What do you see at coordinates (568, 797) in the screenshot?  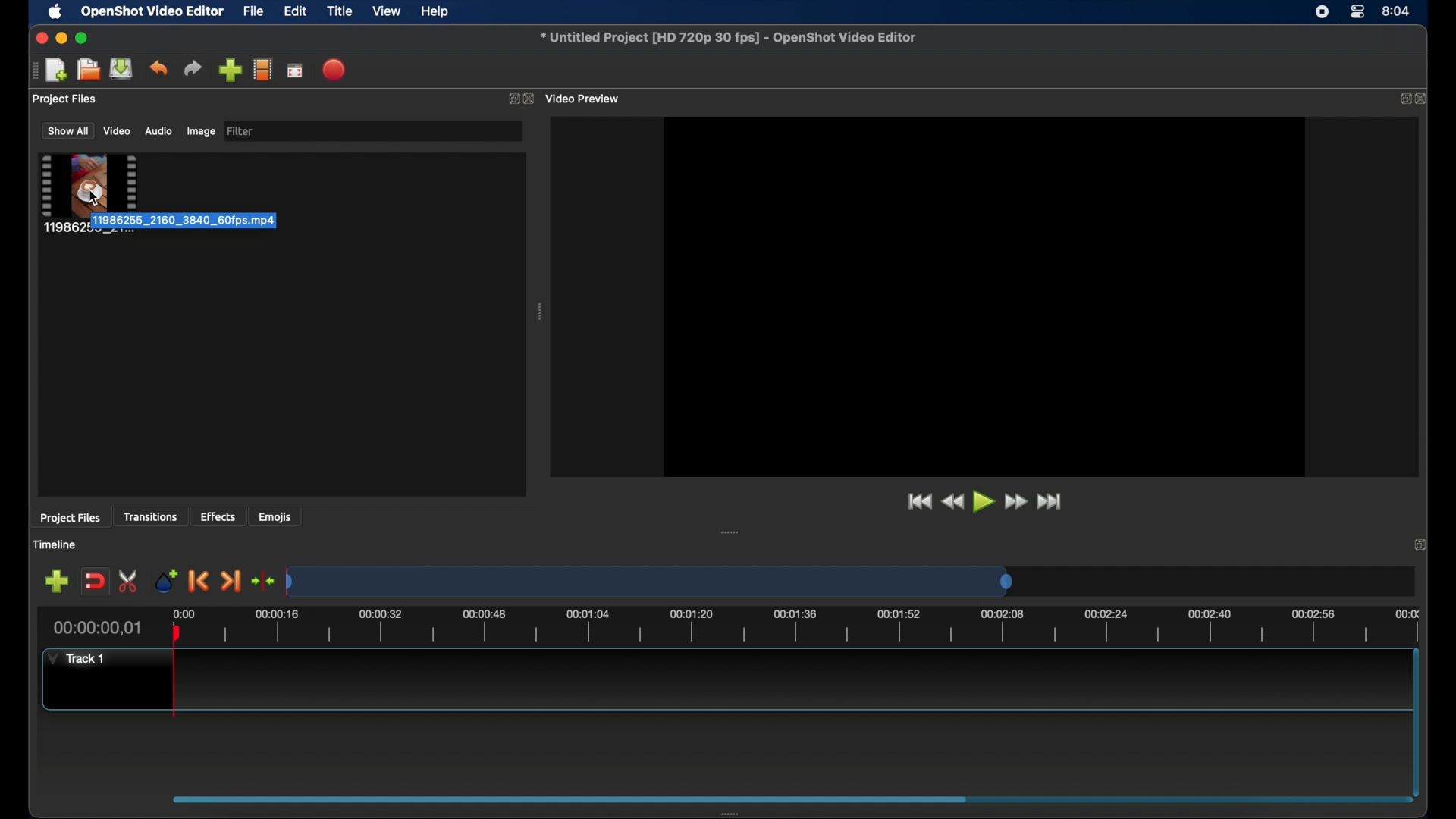 I see `scroll box` at bounding box center [568, 797].